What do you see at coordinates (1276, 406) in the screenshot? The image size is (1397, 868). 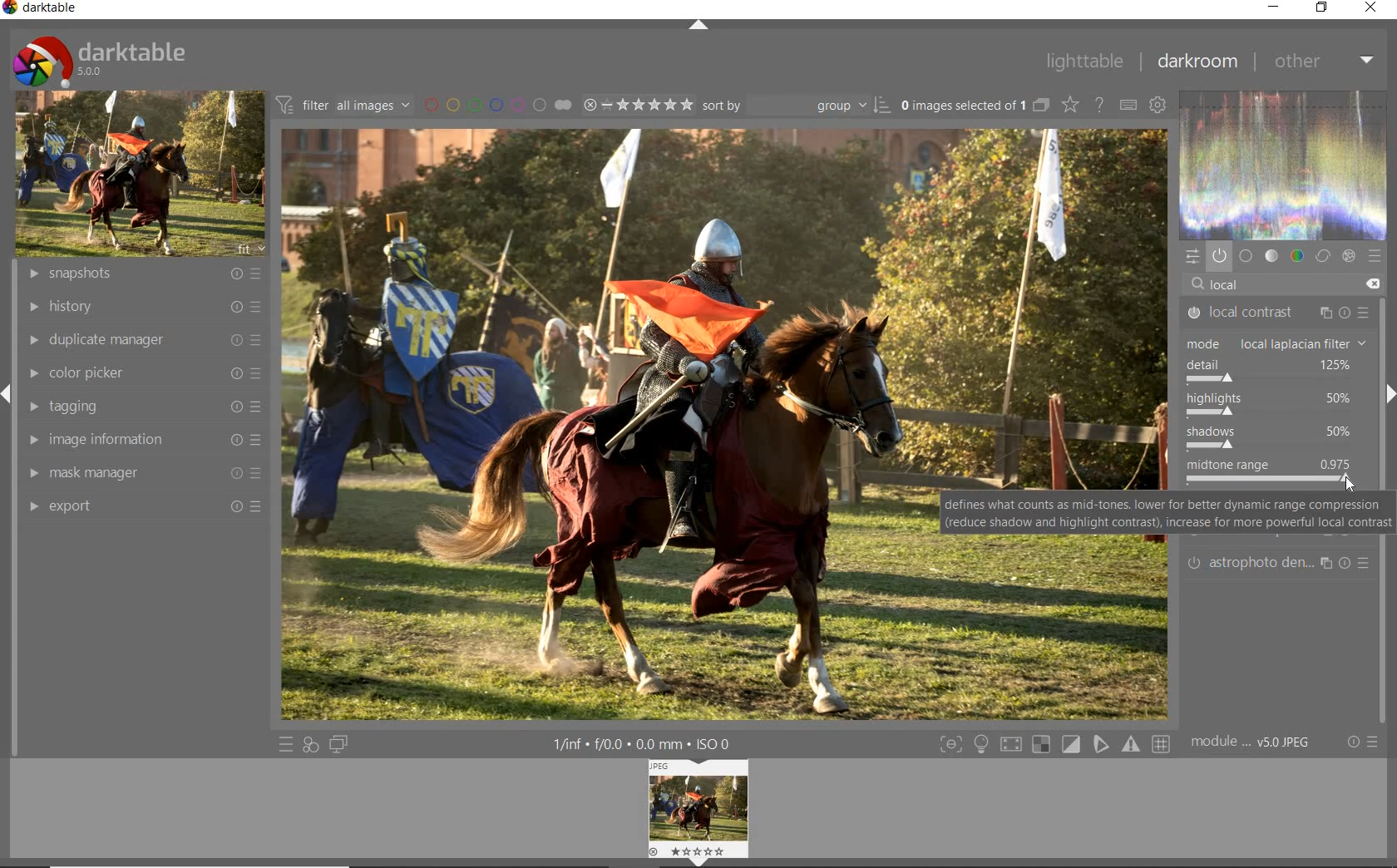 I see `HIGHLIGHTS` at bounding box center [1276, 406].